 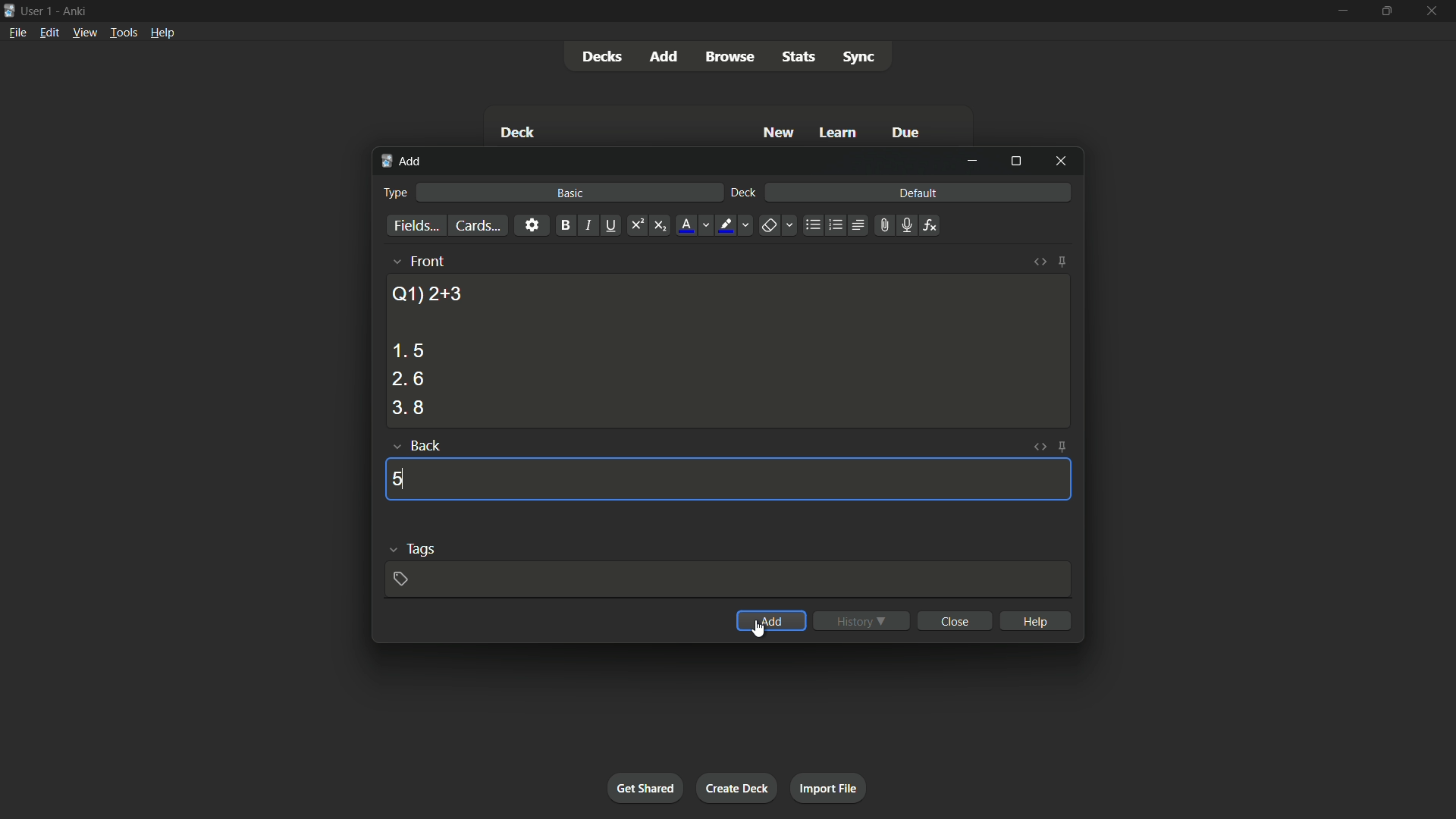 What do you see at coordinates (861, 621) in the screenshot?
I see `history` at bounding box center [861, 621].